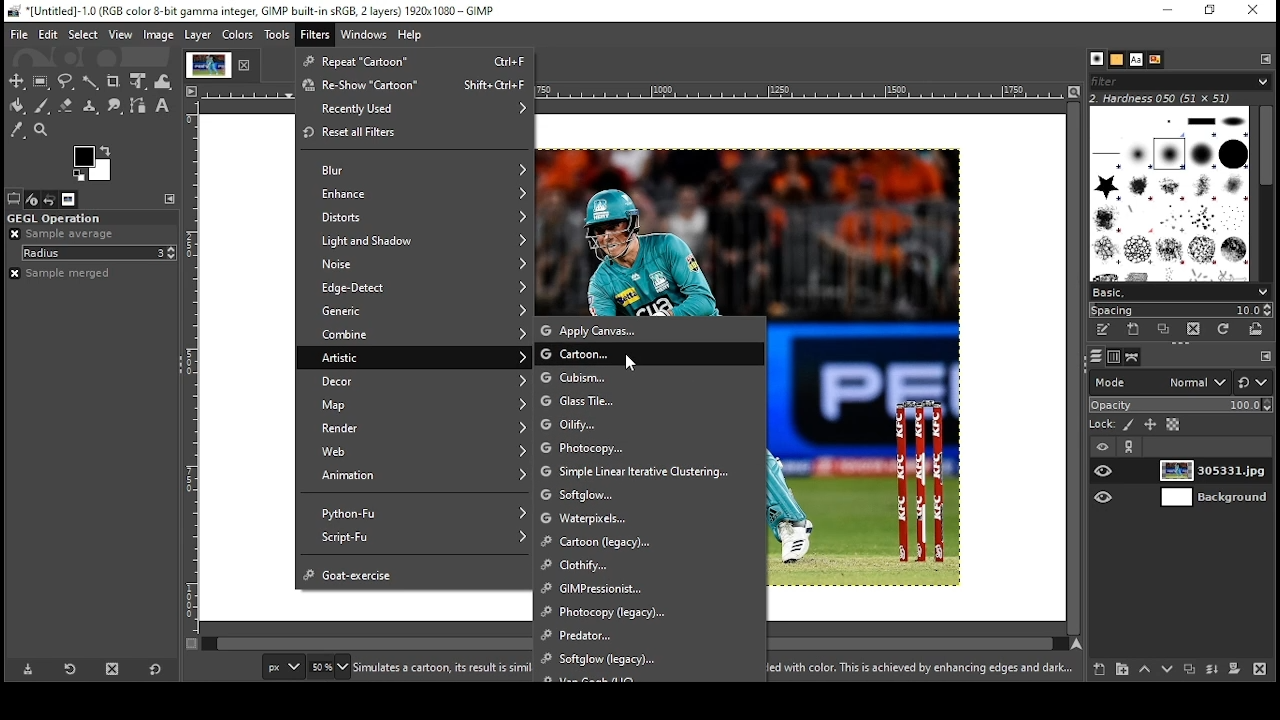  What do you see at coordinates (254, 11) in the screenshot?
I see `icon and filename` at bounding box center [254, 11].